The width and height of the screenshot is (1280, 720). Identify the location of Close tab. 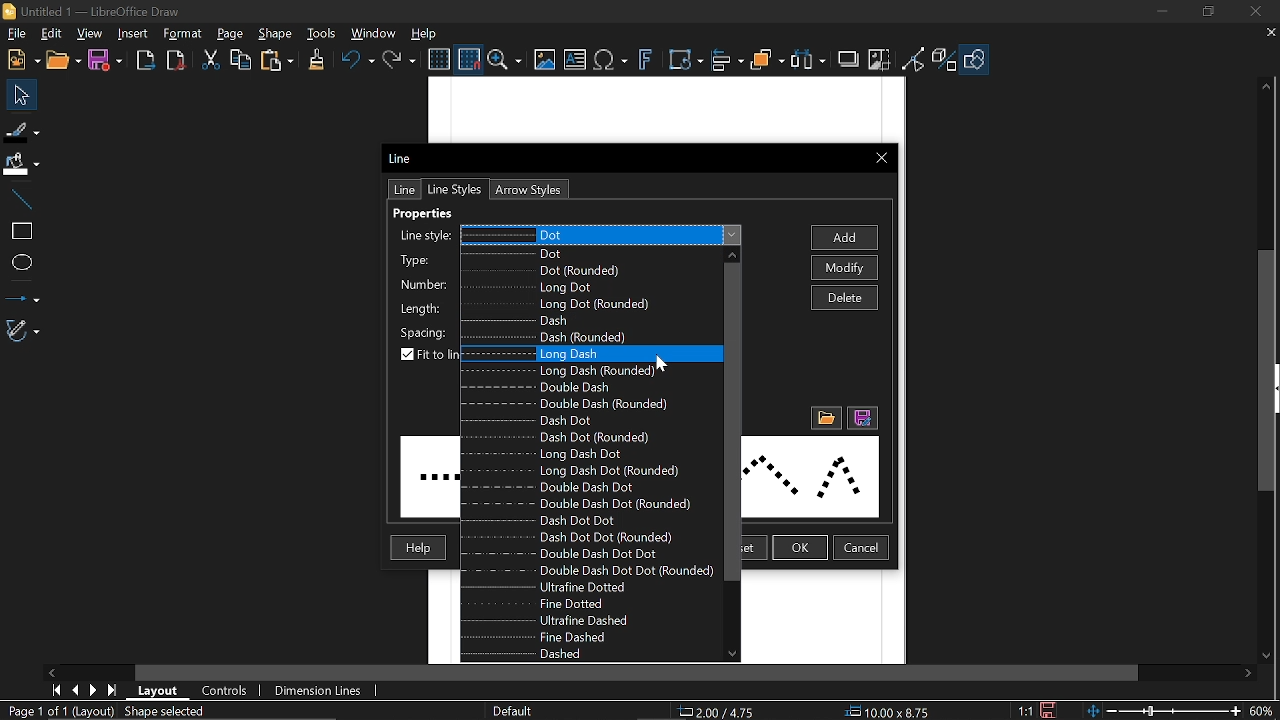
(1270, 32).